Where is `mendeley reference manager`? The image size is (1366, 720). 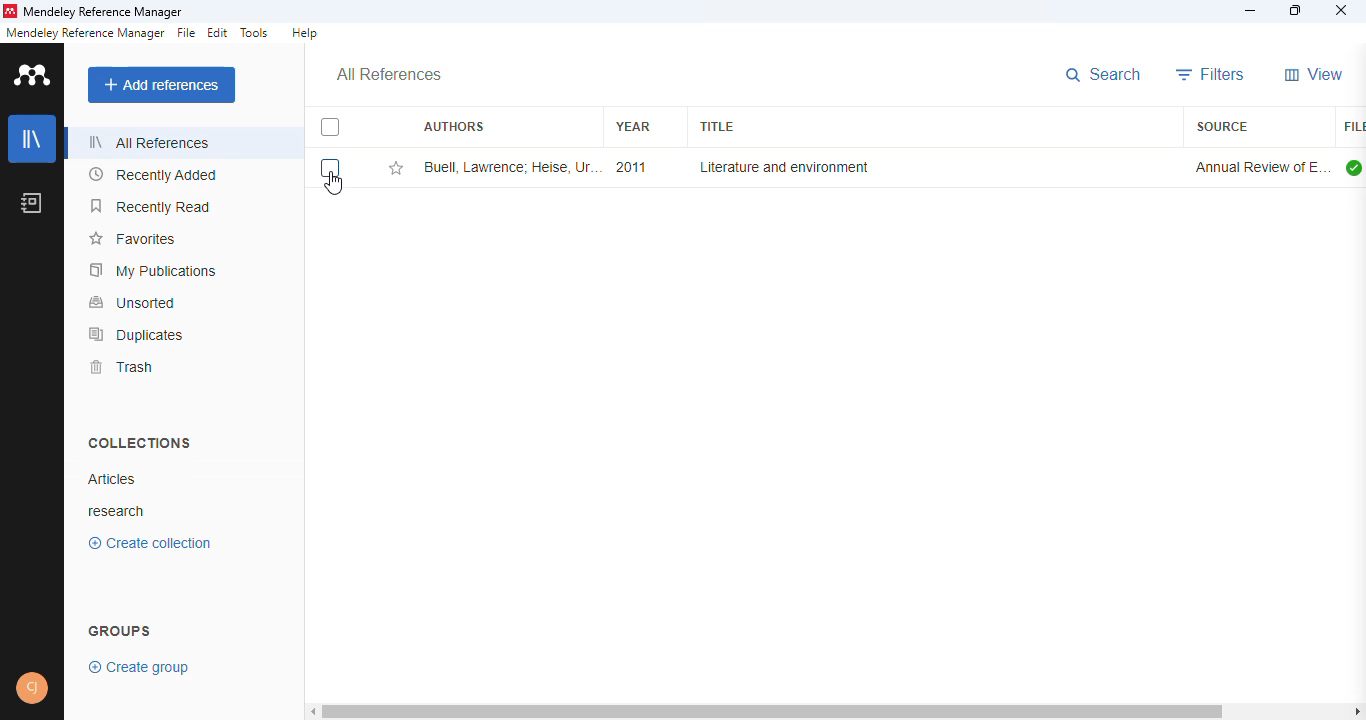 mendeley reference manager is located at coordinates (104, 12).